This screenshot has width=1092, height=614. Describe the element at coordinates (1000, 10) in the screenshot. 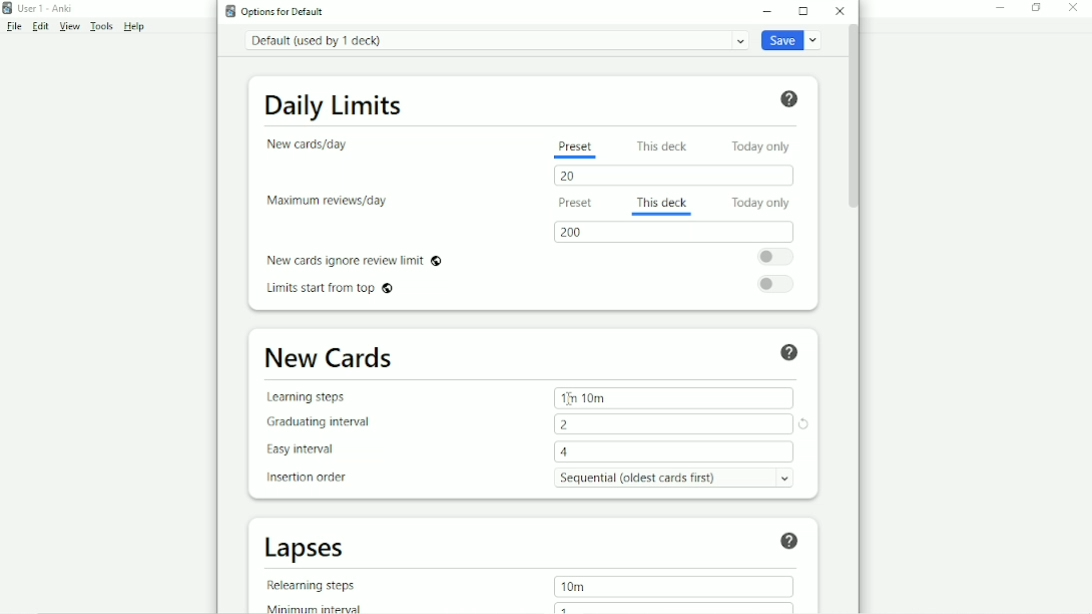

I see `Minimize` at that location.